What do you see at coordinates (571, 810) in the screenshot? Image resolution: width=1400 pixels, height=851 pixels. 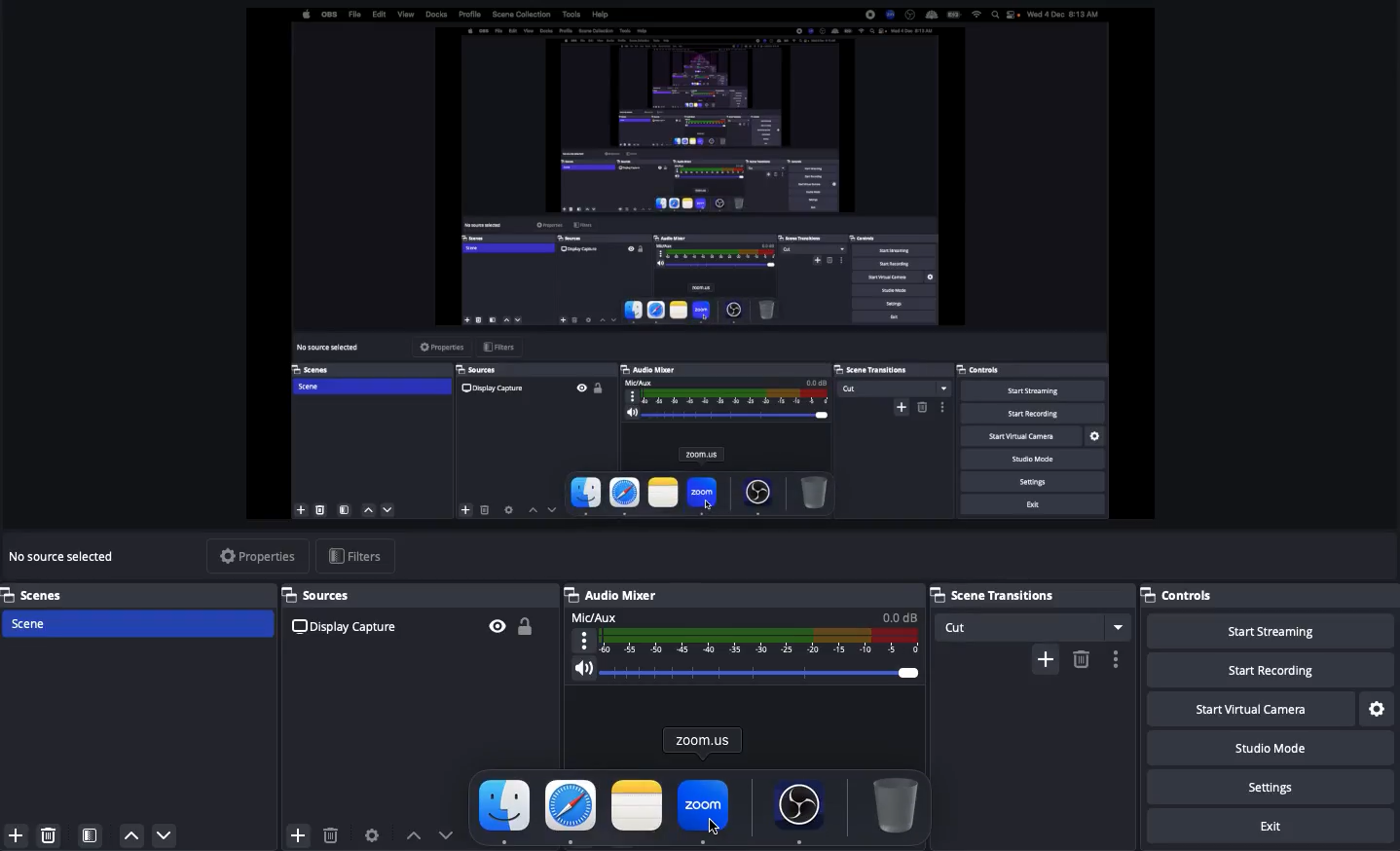 I see `Safari` at bounding box center [571, 810].